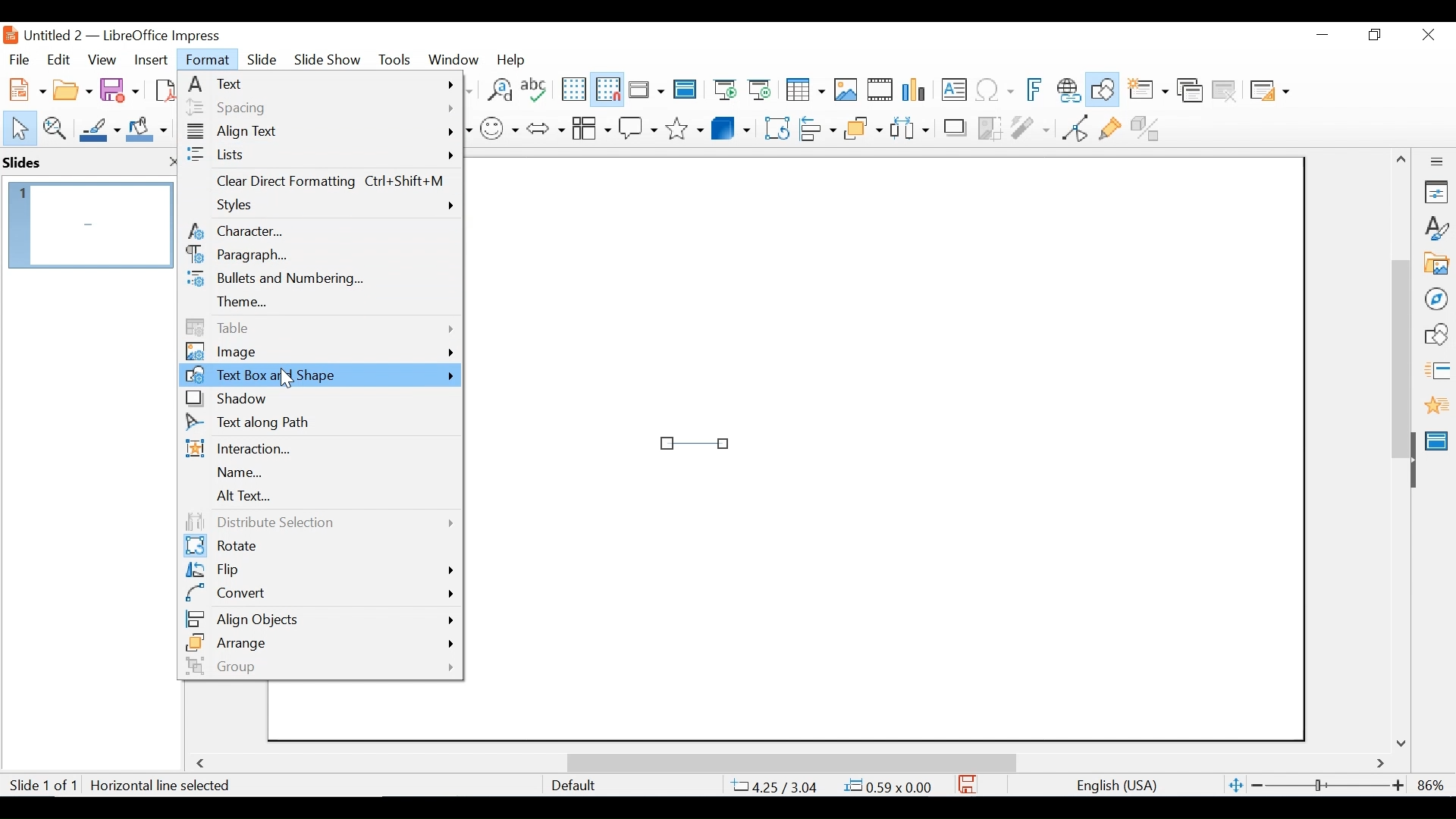 This screenshot has height=819, width=1456. Describe the element at coordinates (880, 91) in the screenshot. I see `Insert Audio or Video` at that location.